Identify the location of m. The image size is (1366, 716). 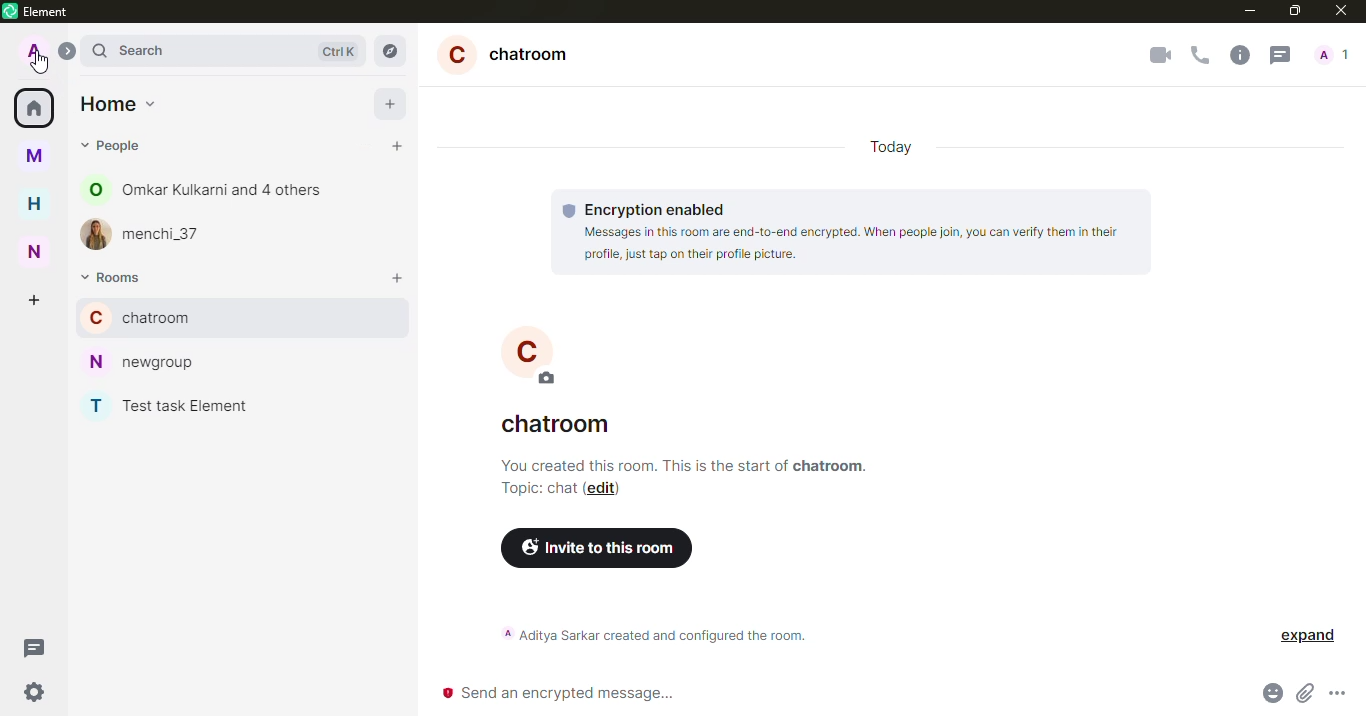
(118, 143).